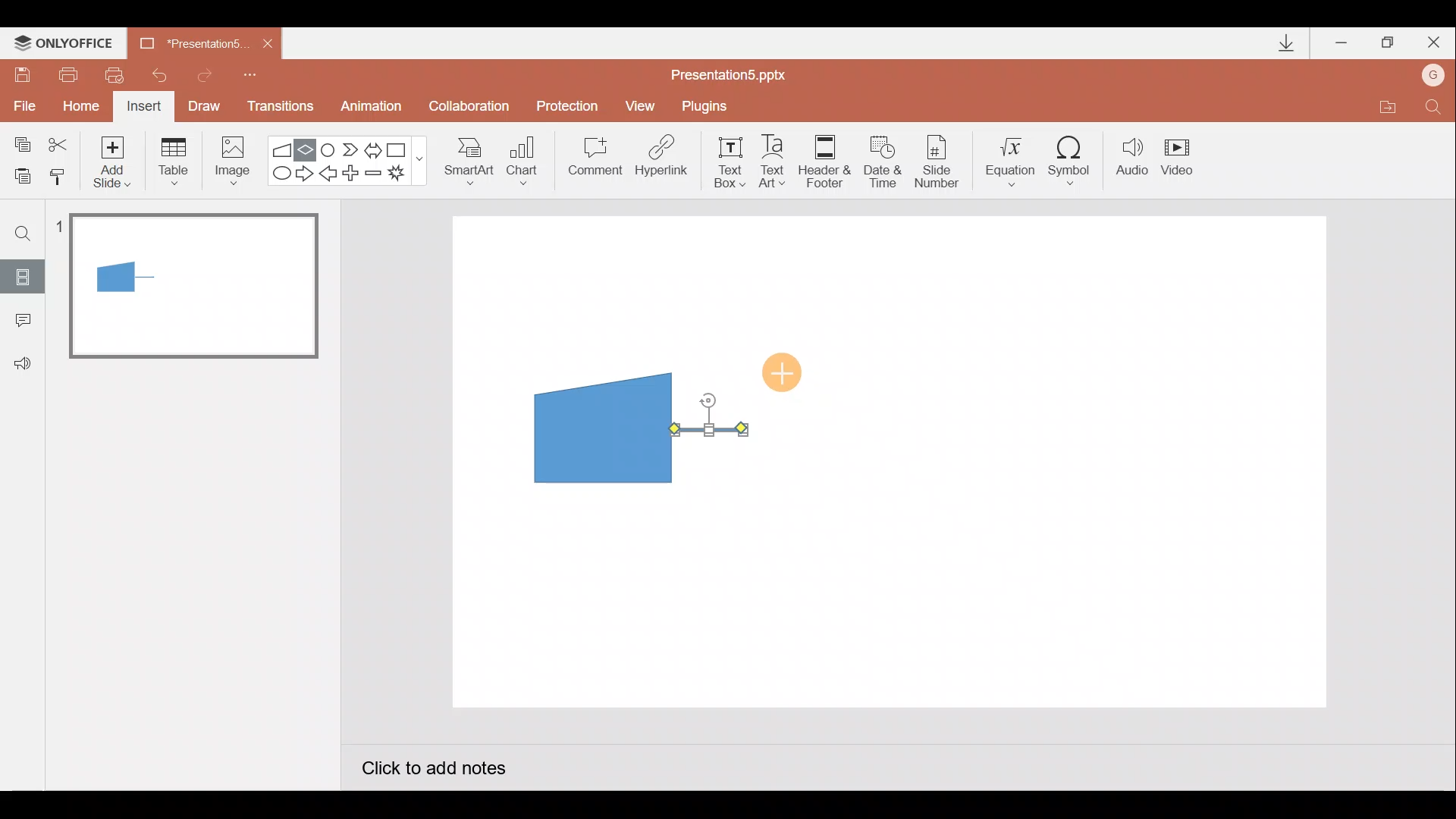 The image size is (1456, 819). I want to click on Symbol, so click(1075, 160).